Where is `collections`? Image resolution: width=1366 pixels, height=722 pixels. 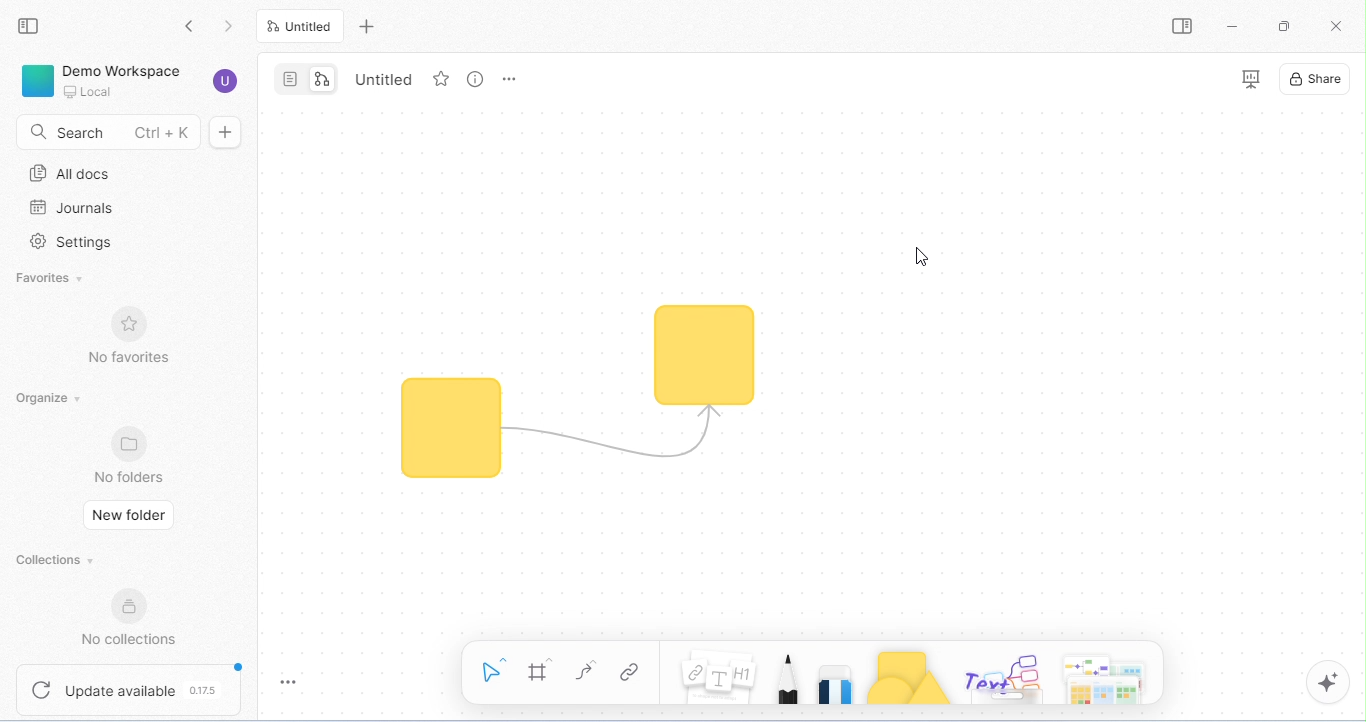 collections is located at coordinates (59, 561).